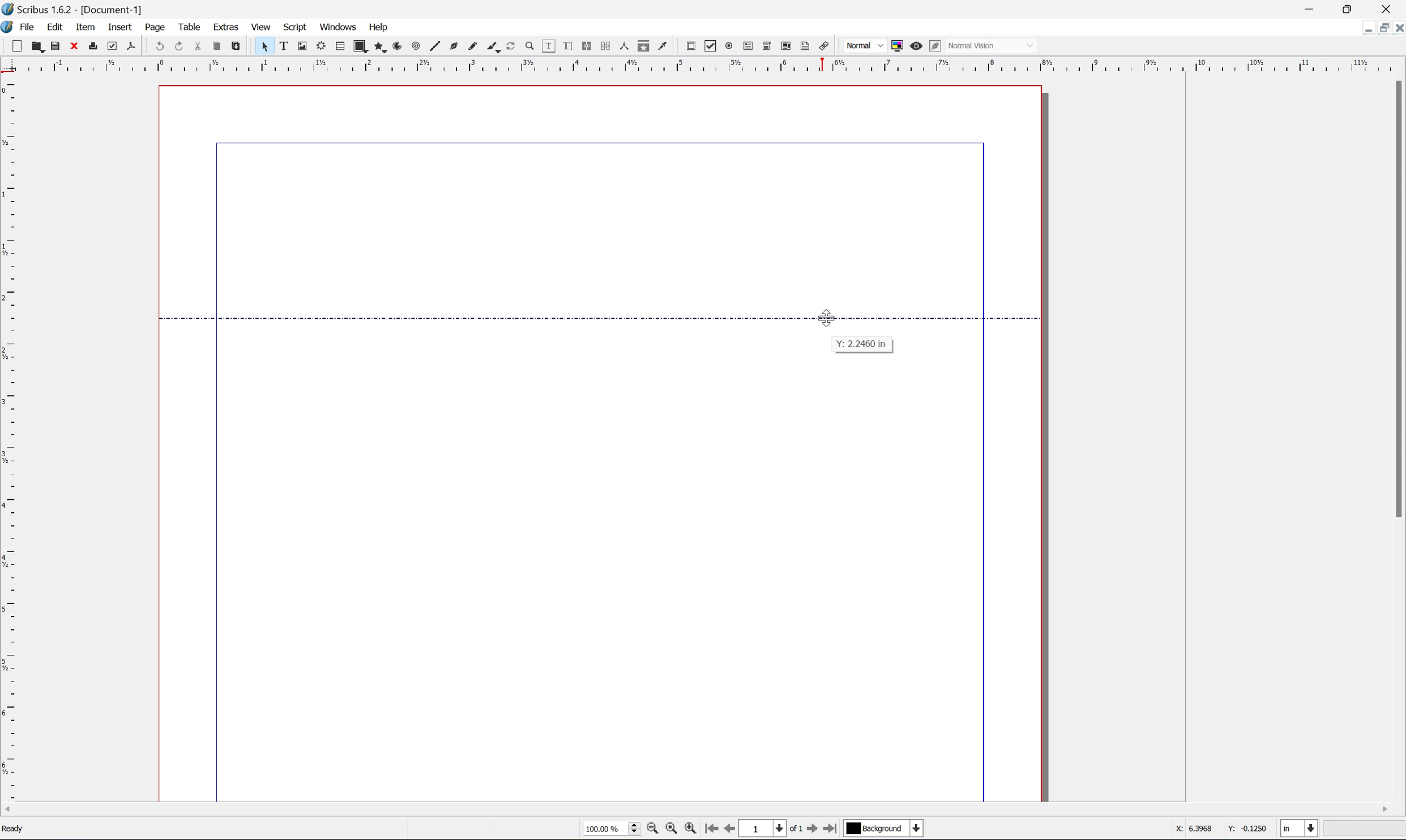 Image resolution: width=1406 pixels, height=840 pixels. Describe the element at coordinates (1357, 8) in the screenshot. I see `restore down` at that location.